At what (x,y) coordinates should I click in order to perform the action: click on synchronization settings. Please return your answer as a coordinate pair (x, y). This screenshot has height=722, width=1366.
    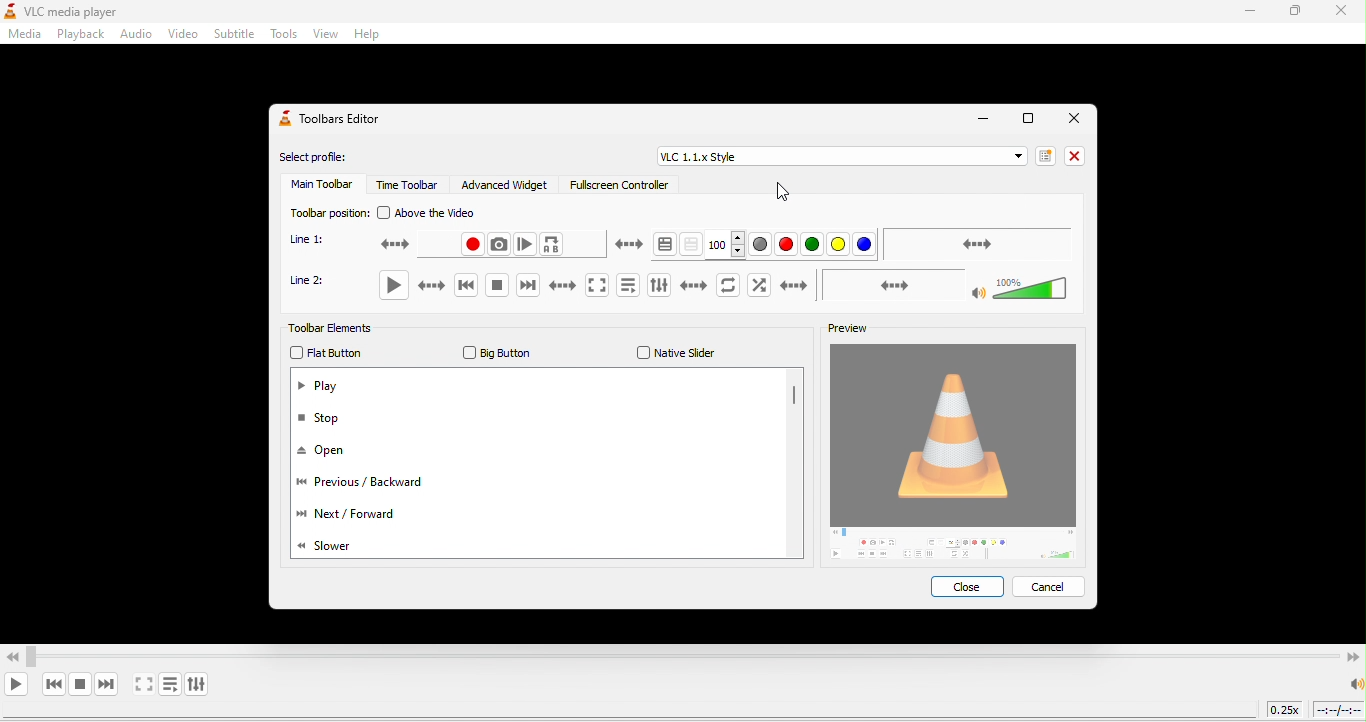
    Looking at the image, I should click on (979, 243).